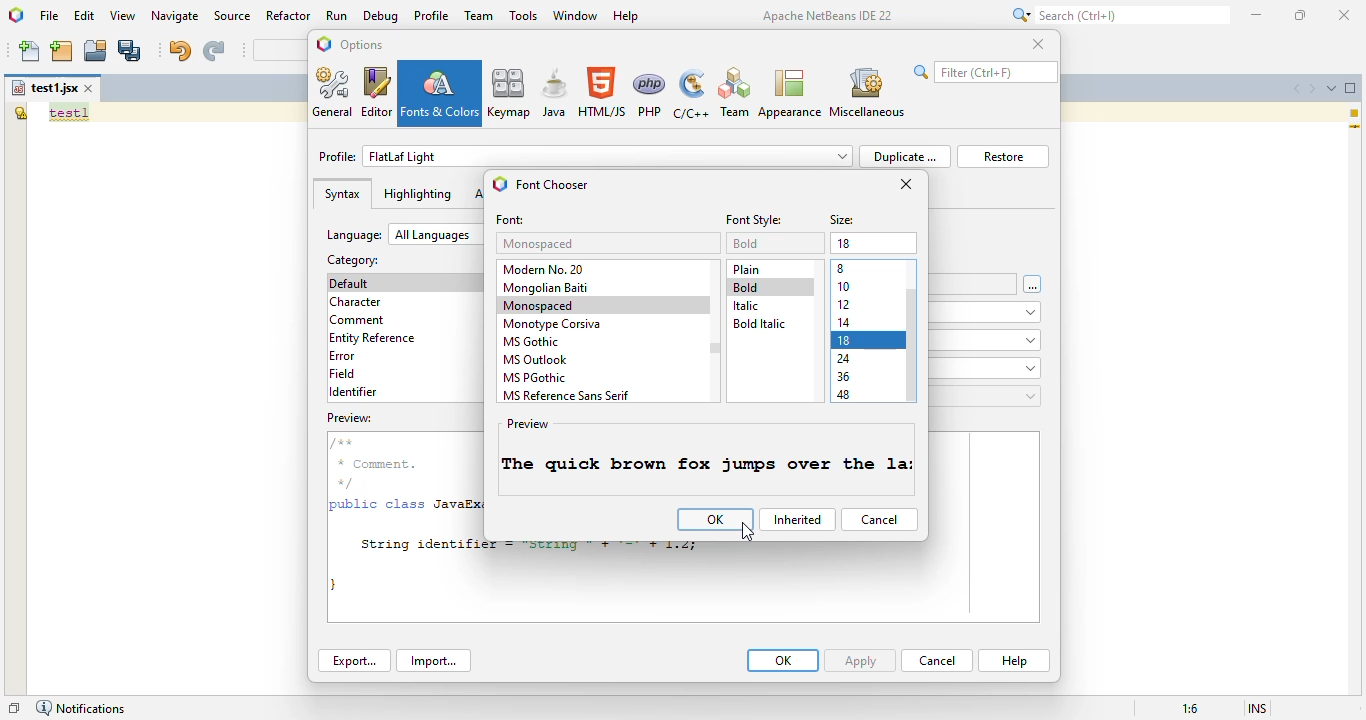  What do you see at coordinates (343, 374) in the screenshot?
I see `field` at bounding box center [343, 374].